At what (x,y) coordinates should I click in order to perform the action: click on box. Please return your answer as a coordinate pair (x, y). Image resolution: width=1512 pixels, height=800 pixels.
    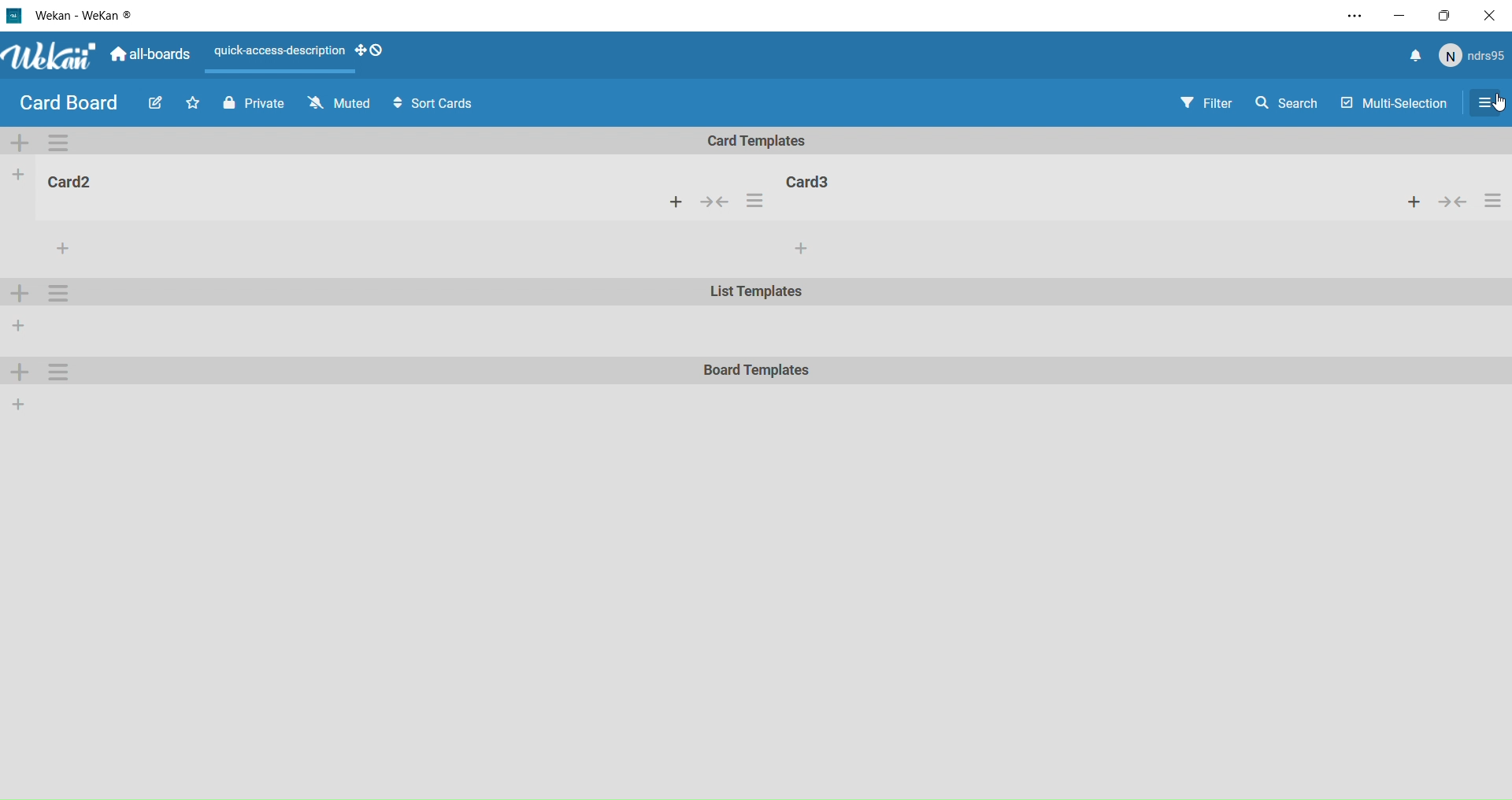
    Looking at the image, I should click on (1449, 15).